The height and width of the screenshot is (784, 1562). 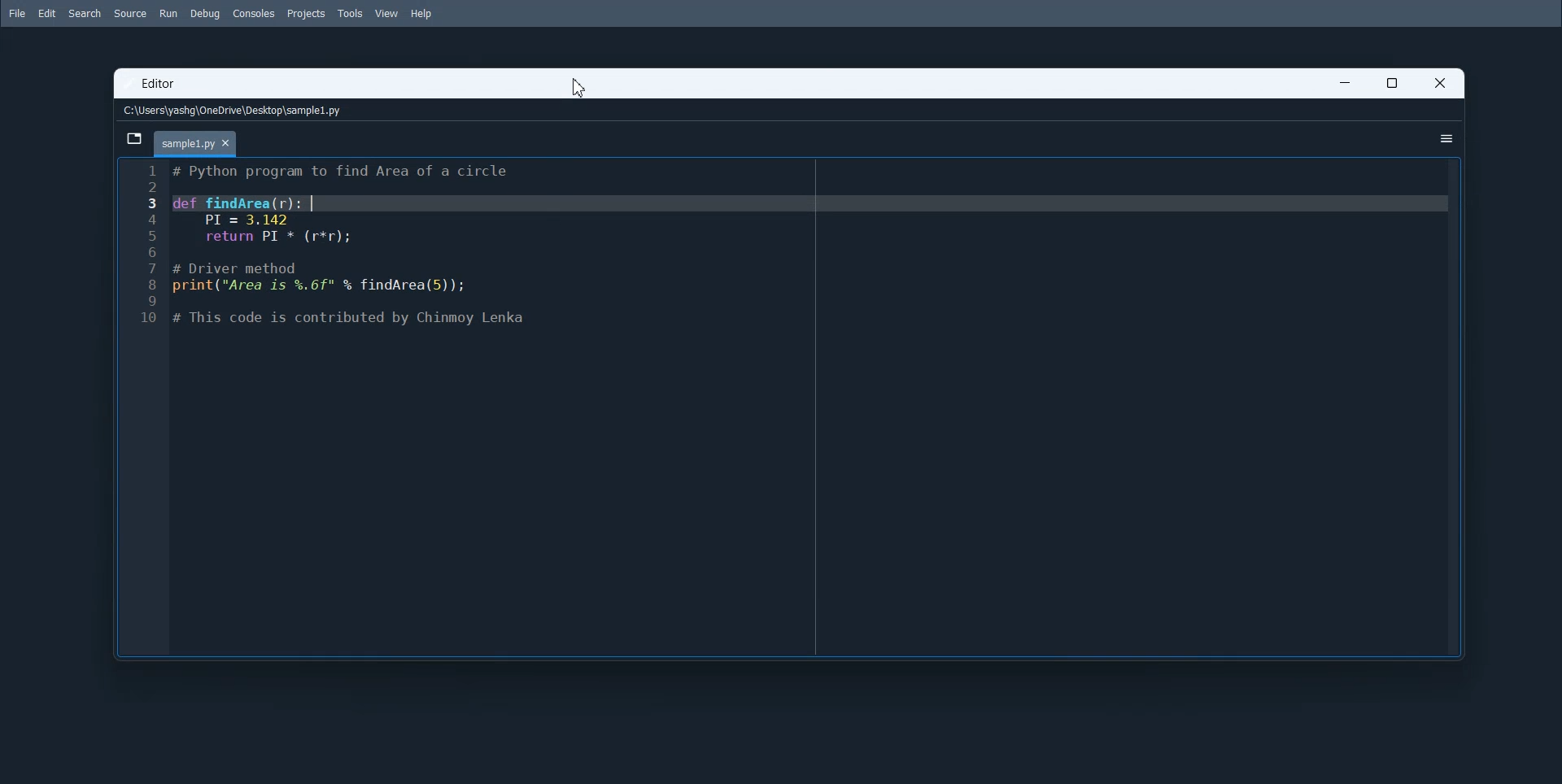 I want to click on View, so click(x=386, y=13).